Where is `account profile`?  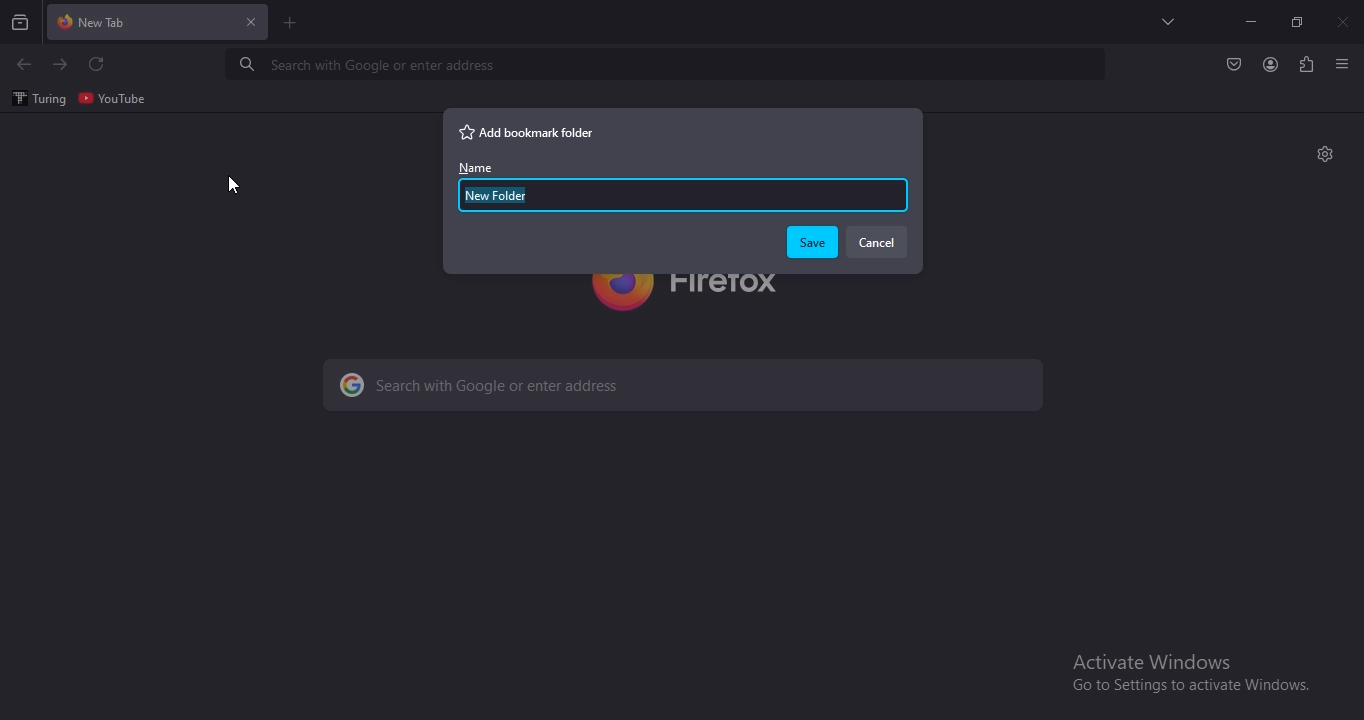 account profile is located at coordinates (1269, 66).